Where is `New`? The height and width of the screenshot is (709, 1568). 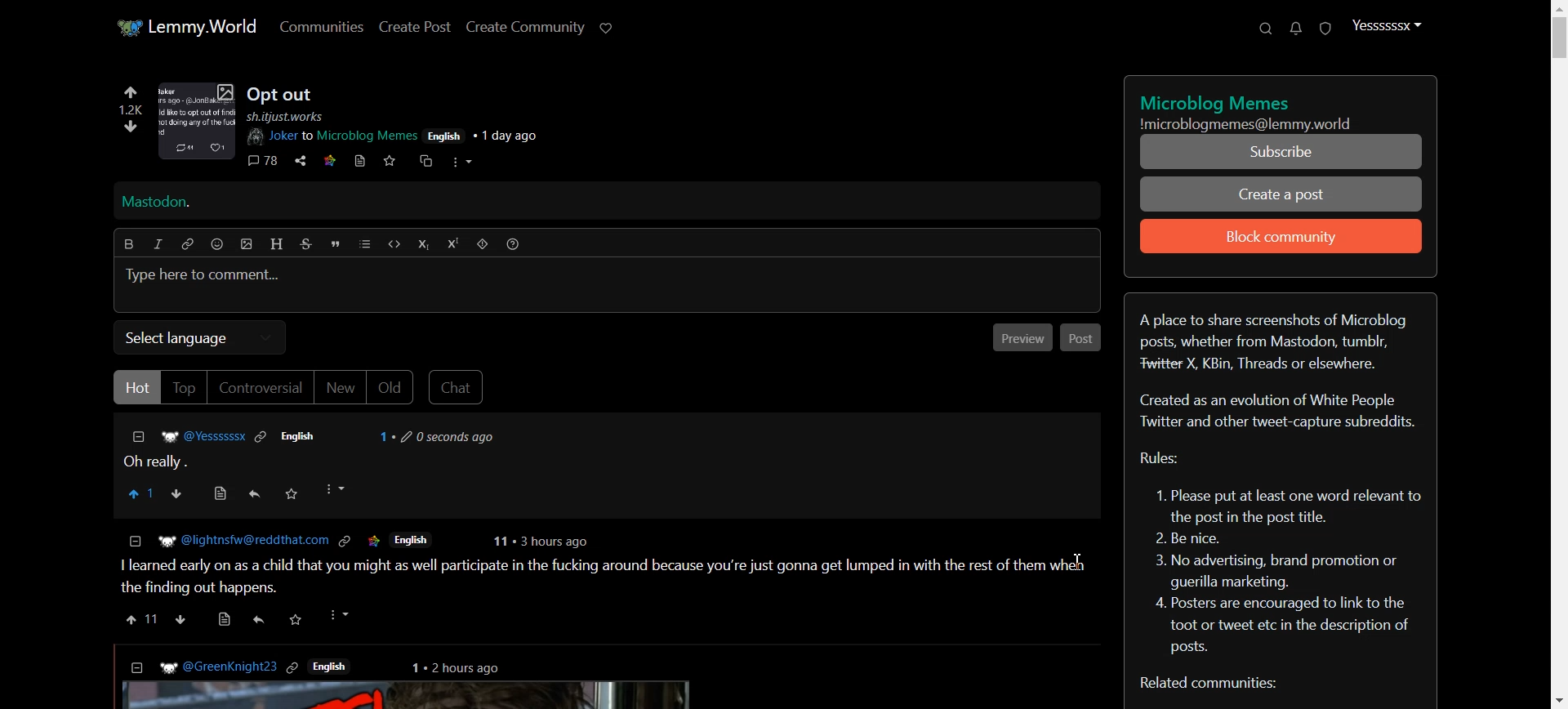
New is located at coordinates (341, 388).